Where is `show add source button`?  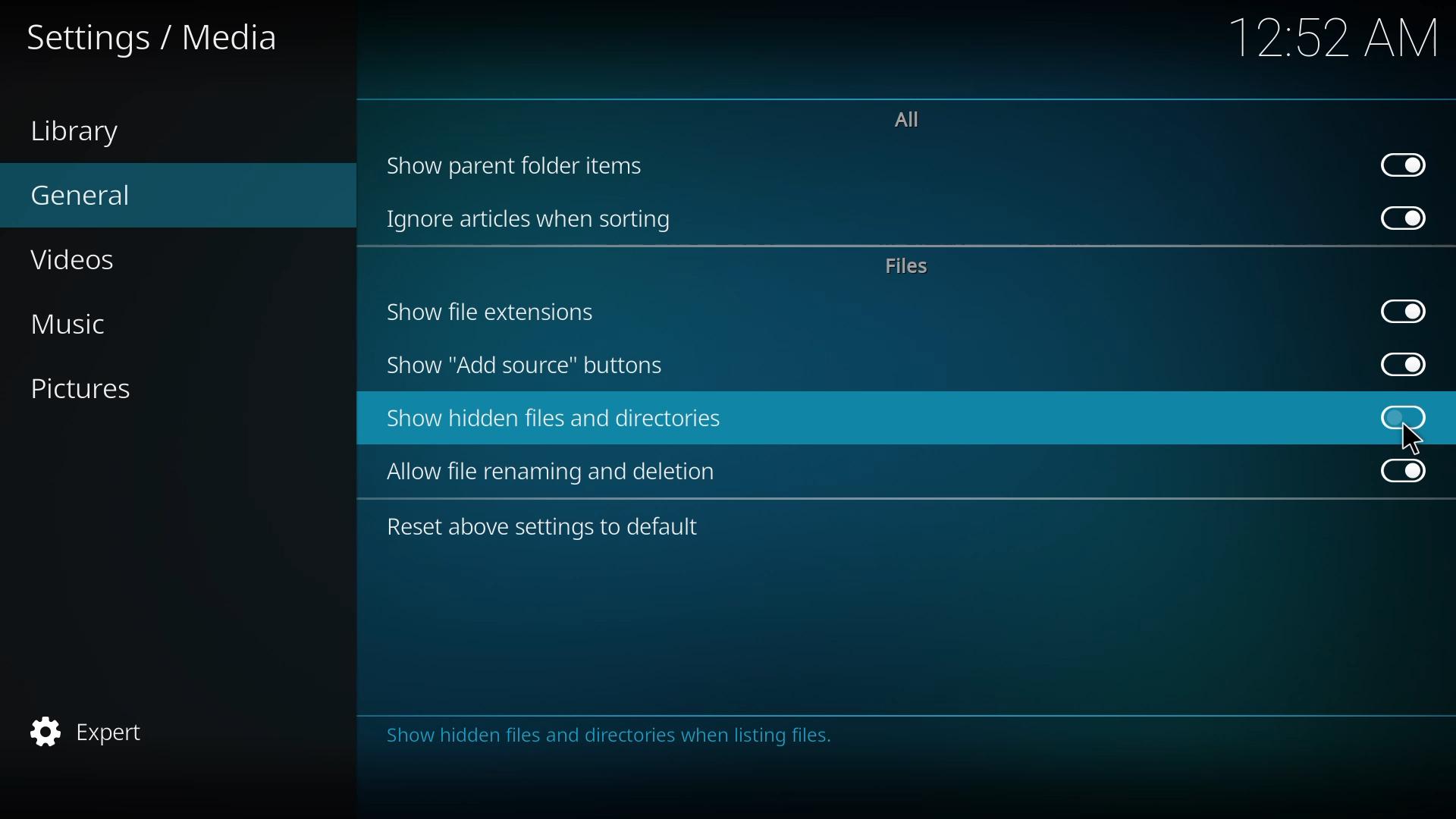 show add source button is located at coordinates (526, 366).